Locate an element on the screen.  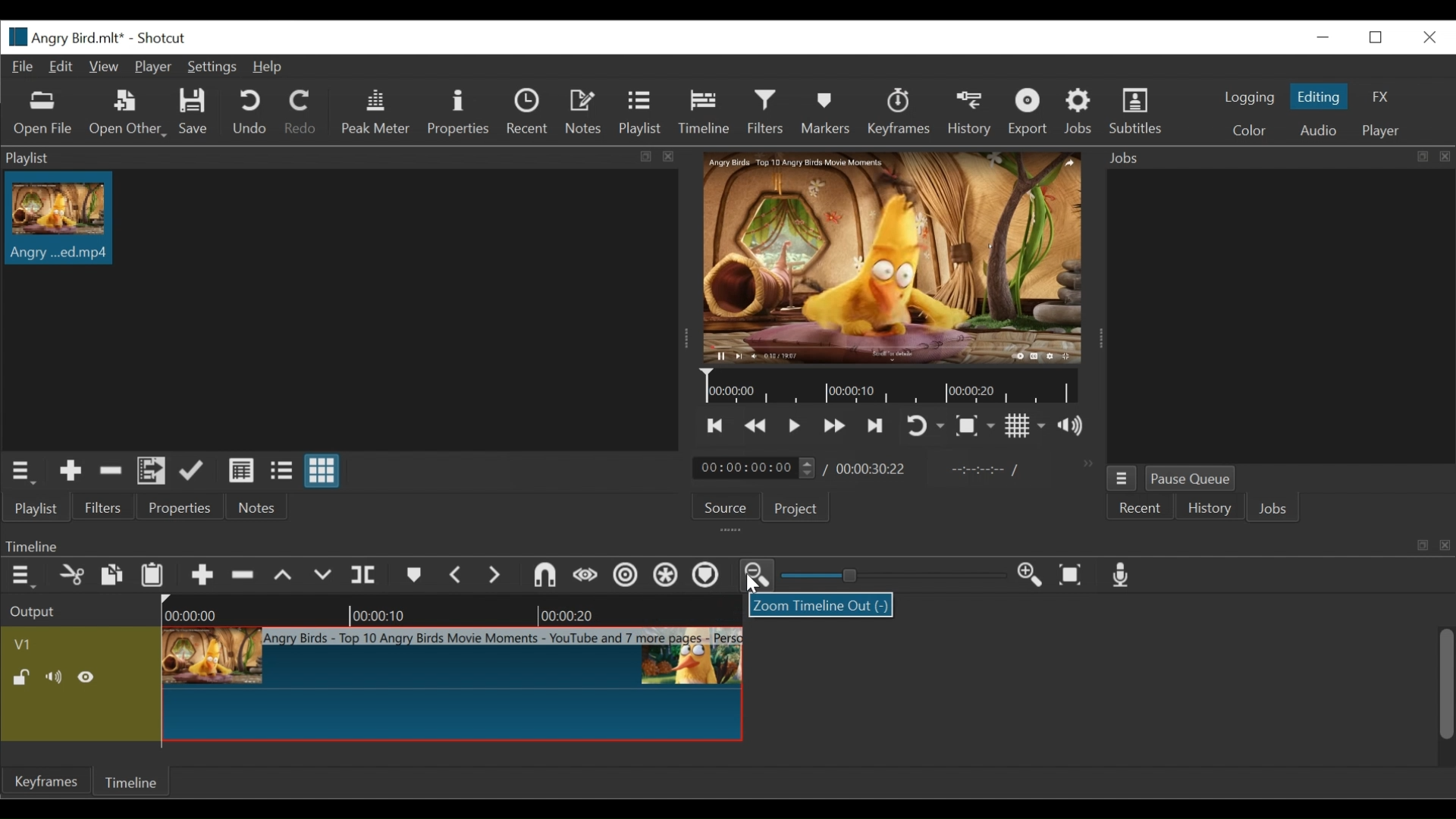
Filters is located at coordinates (767, 112).